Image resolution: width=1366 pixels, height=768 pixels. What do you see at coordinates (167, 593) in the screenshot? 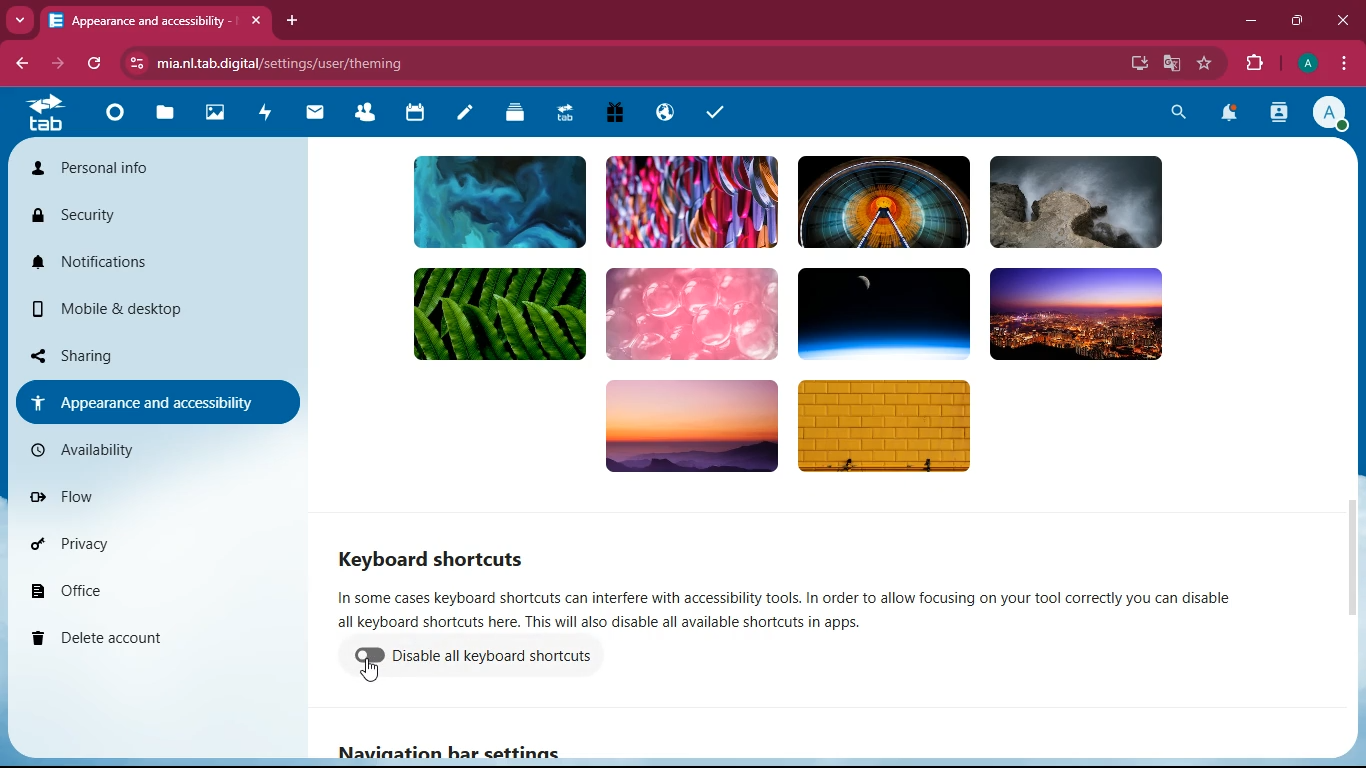
I see `office` at bounding box center [167, 593].